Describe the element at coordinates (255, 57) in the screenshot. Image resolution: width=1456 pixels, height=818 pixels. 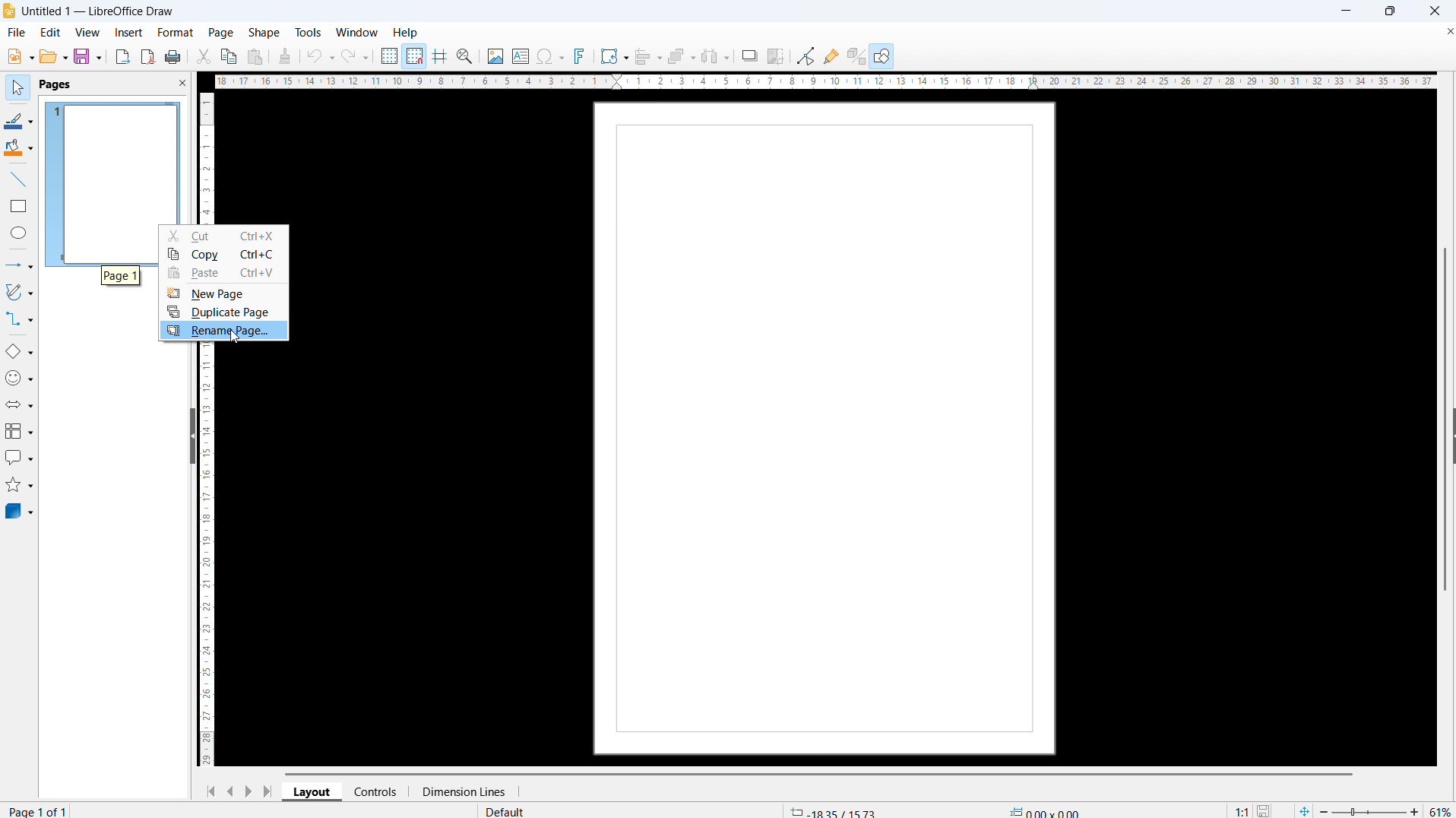
I see `paste` at that location.